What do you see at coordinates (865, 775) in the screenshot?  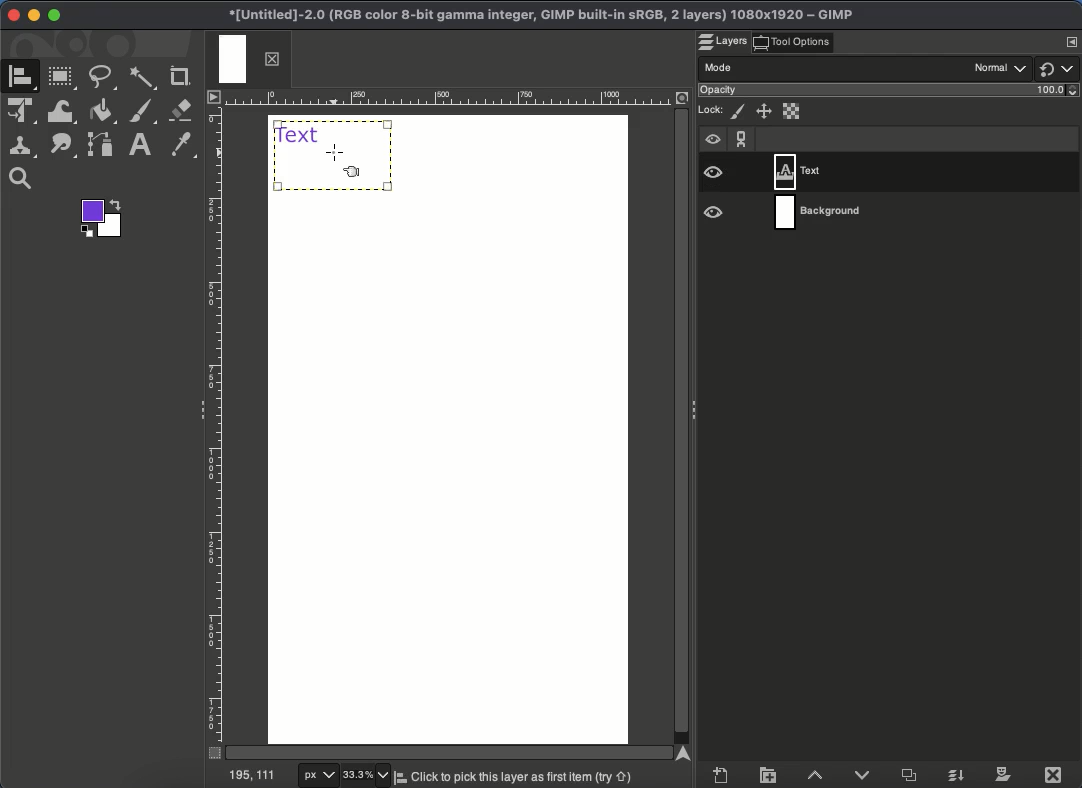 I see `Lower layer` at bounding box center [865, 775].